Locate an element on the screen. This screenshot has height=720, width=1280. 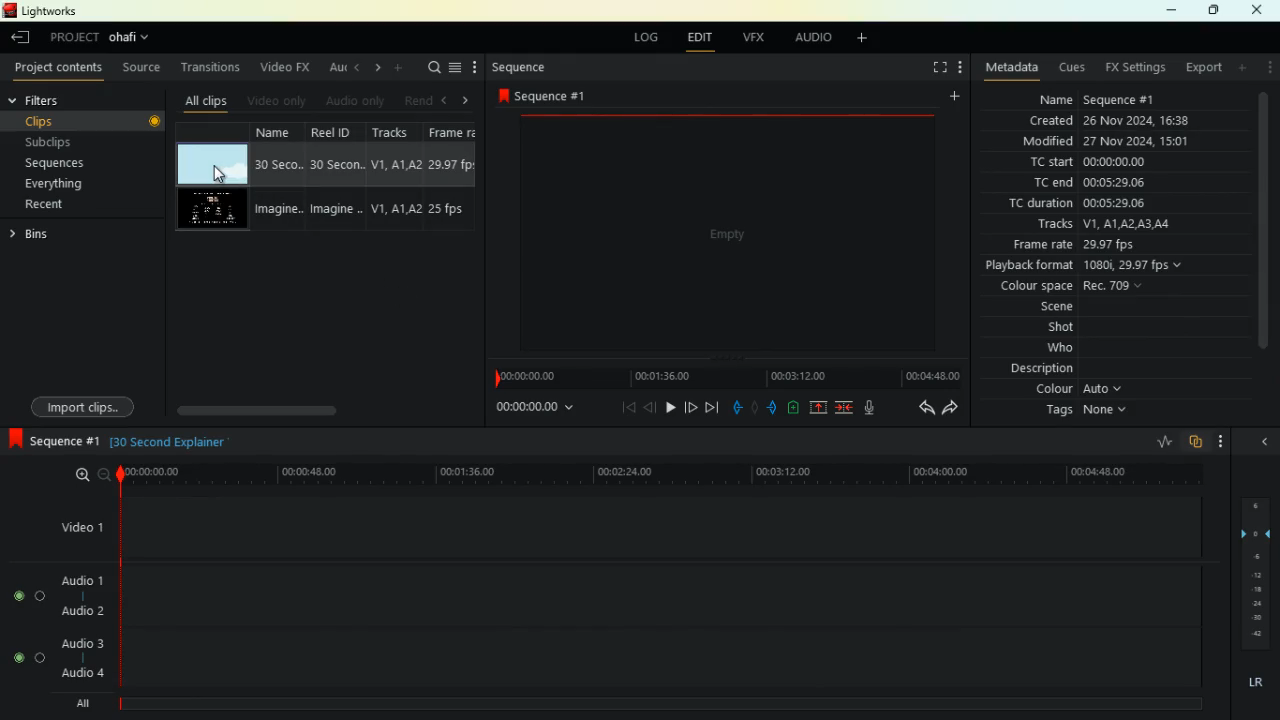
audio is located at coordinates (808, 37).